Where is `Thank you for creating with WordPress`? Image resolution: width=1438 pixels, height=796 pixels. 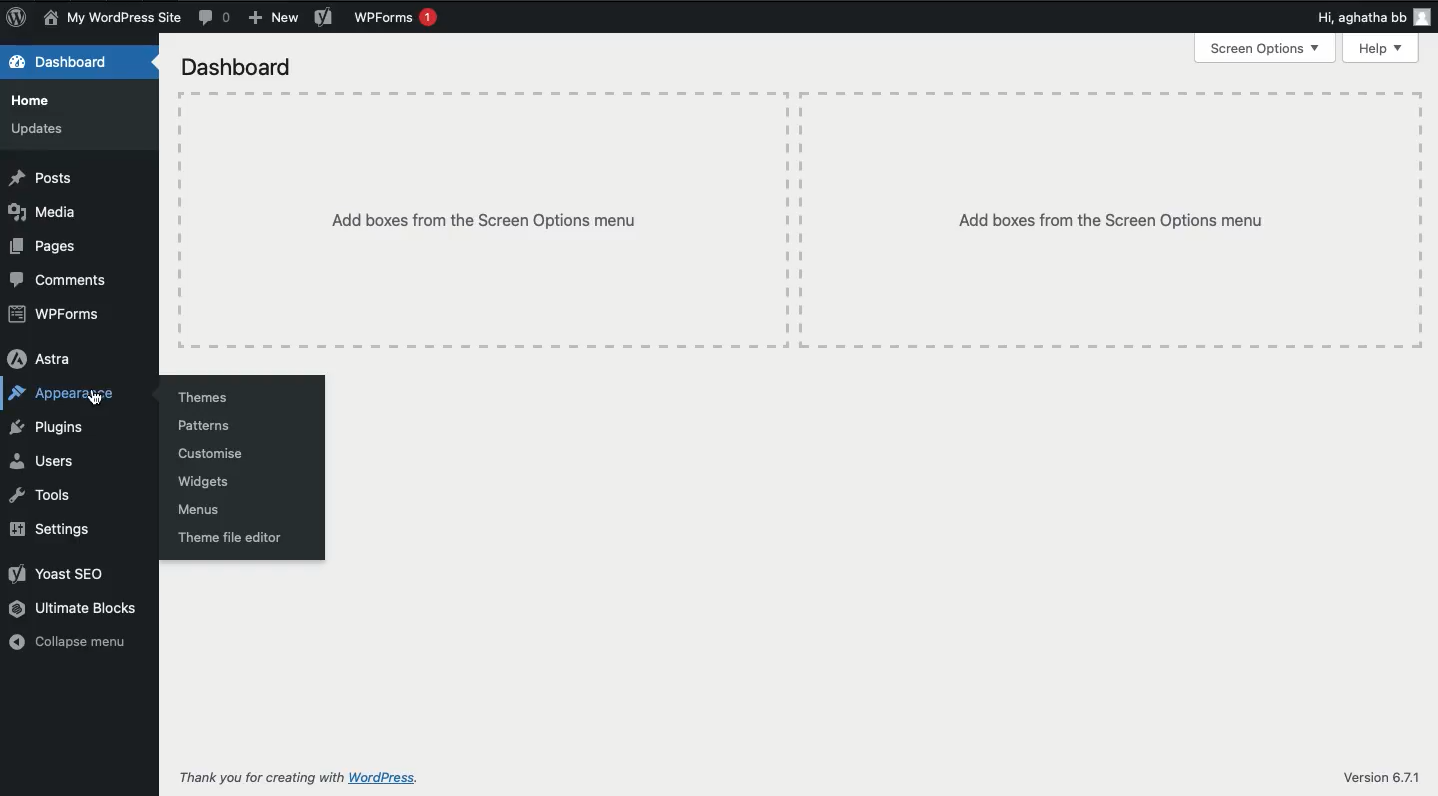 Thank you for creating with WordPress is located at coordinates (301, 777).